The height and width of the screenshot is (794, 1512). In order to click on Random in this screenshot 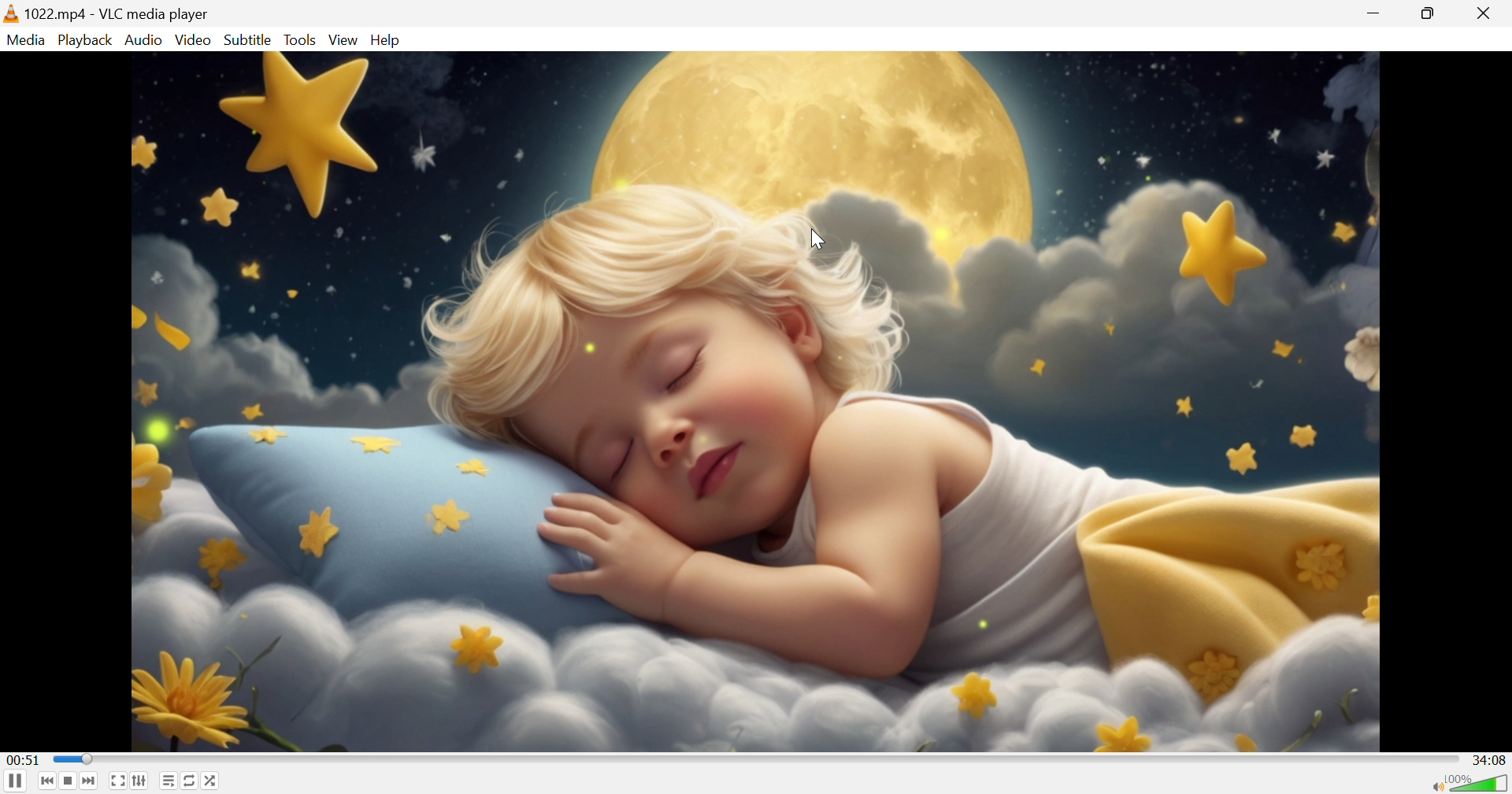, I will do `click(213, 783)`.